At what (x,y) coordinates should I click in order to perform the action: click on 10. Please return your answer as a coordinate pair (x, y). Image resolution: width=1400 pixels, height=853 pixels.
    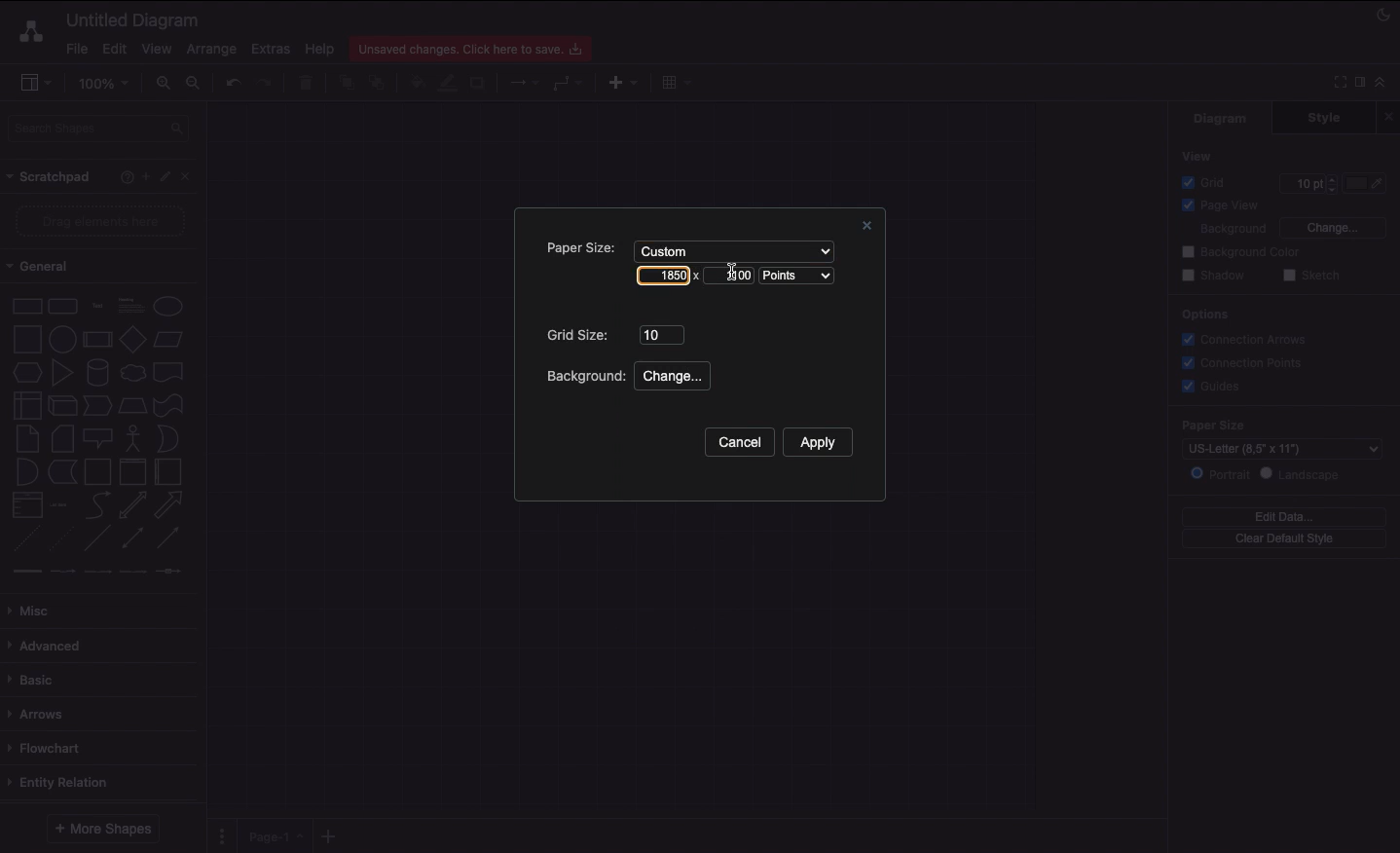
    Looking at the image, I should click on (661, 333).